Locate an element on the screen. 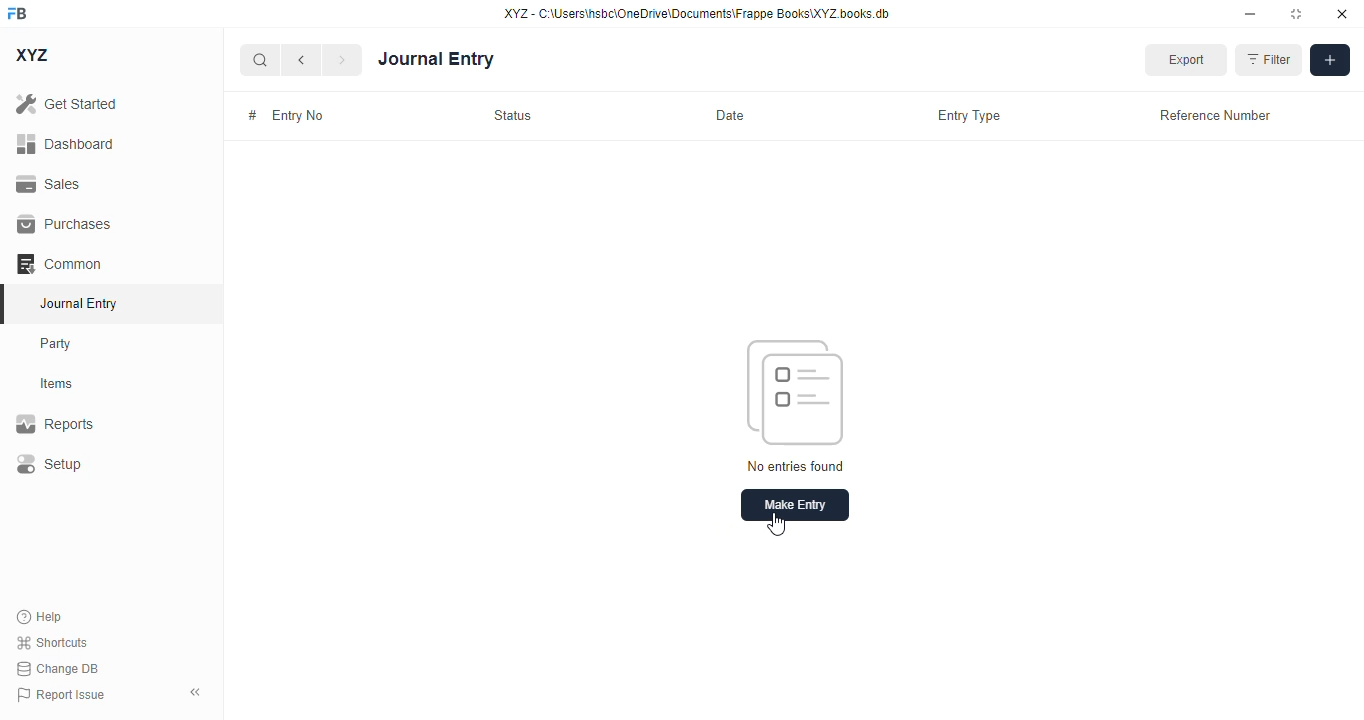 Image resolution: width=1364 pixels, height=720 pixels. icon is located at coordinates (796, 394).